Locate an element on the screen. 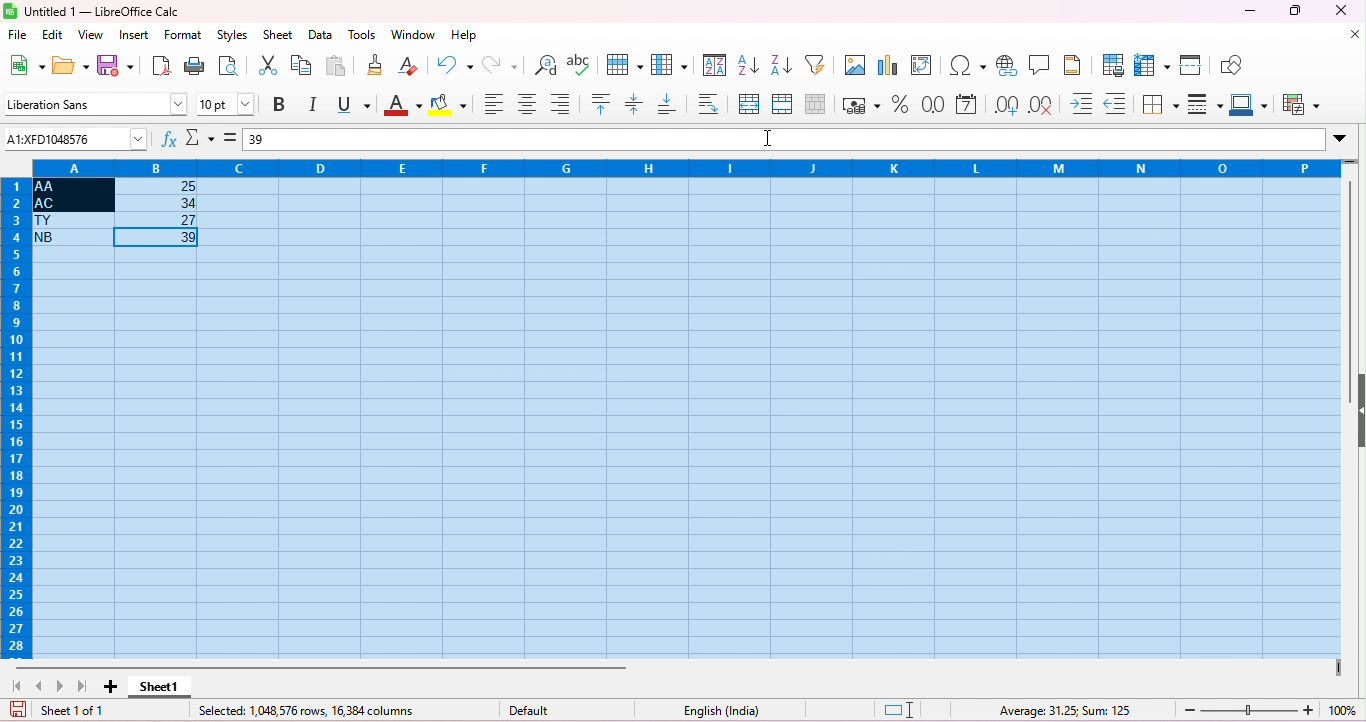 This screenshot has height=722, width=1366. insert is located at coordinates (133, 35).